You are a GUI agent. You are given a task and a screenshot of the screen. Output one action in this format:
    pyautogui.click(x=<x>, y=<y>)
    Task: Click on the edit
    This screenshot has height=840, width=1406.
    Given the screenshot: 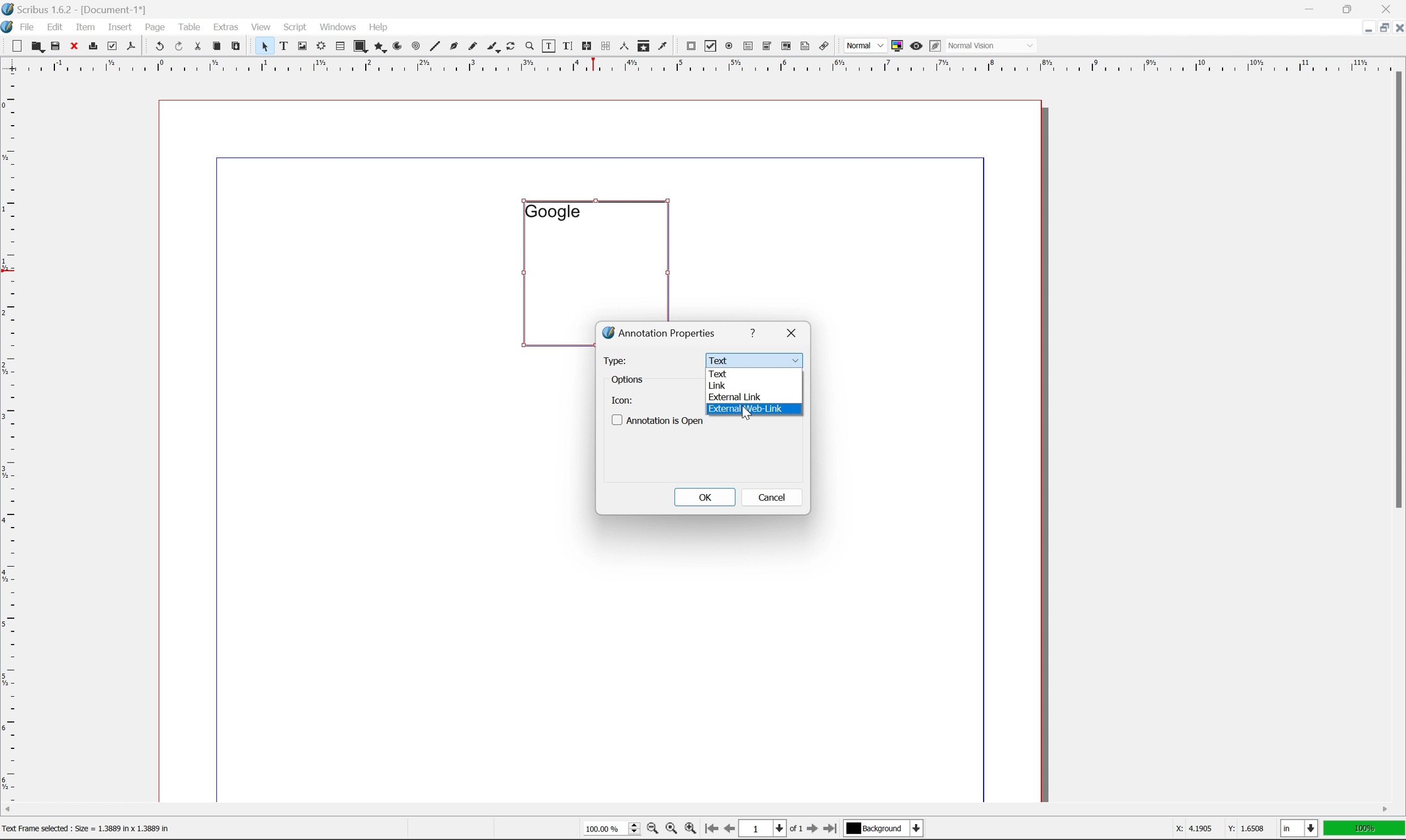 What is the action you would take?
    pyautogui.click(x=57, y=27)
    